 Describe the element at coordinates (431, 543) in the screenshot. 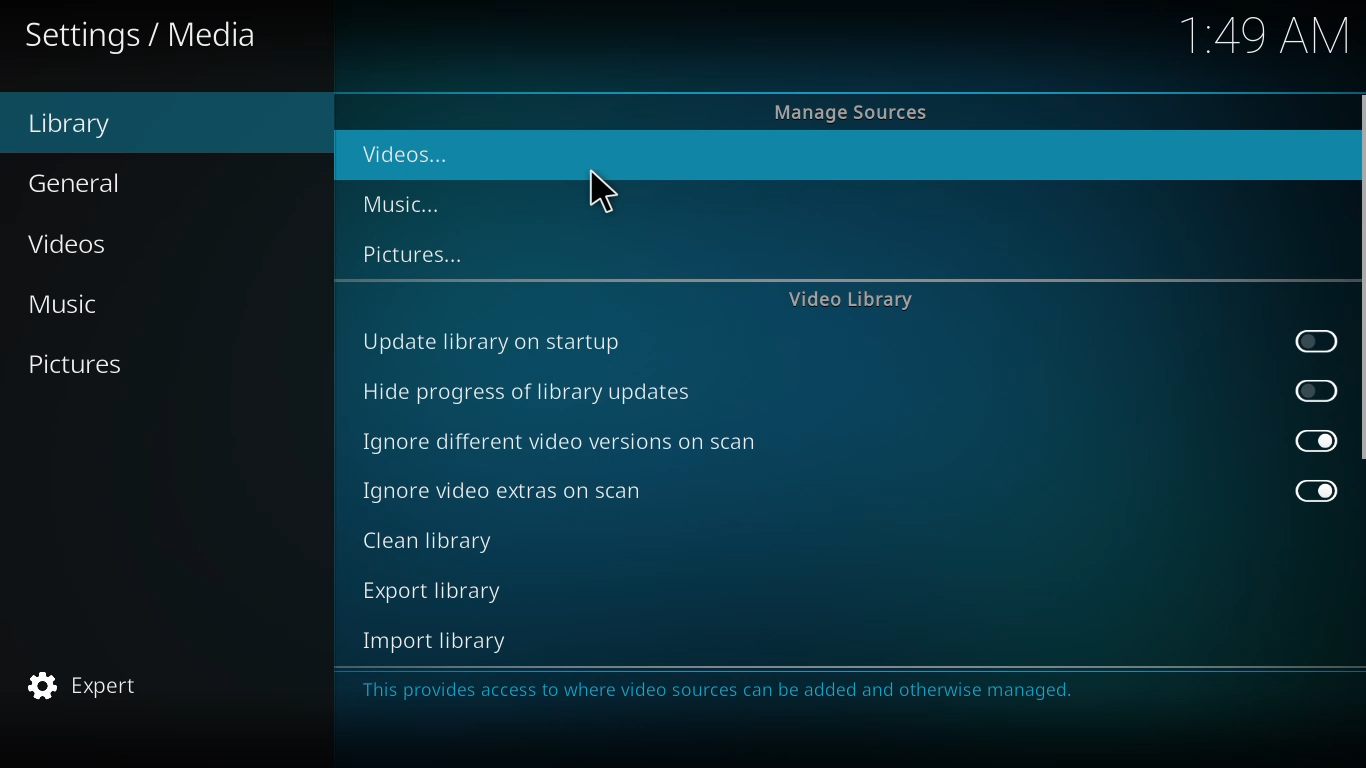

I see `clean library` at that location.